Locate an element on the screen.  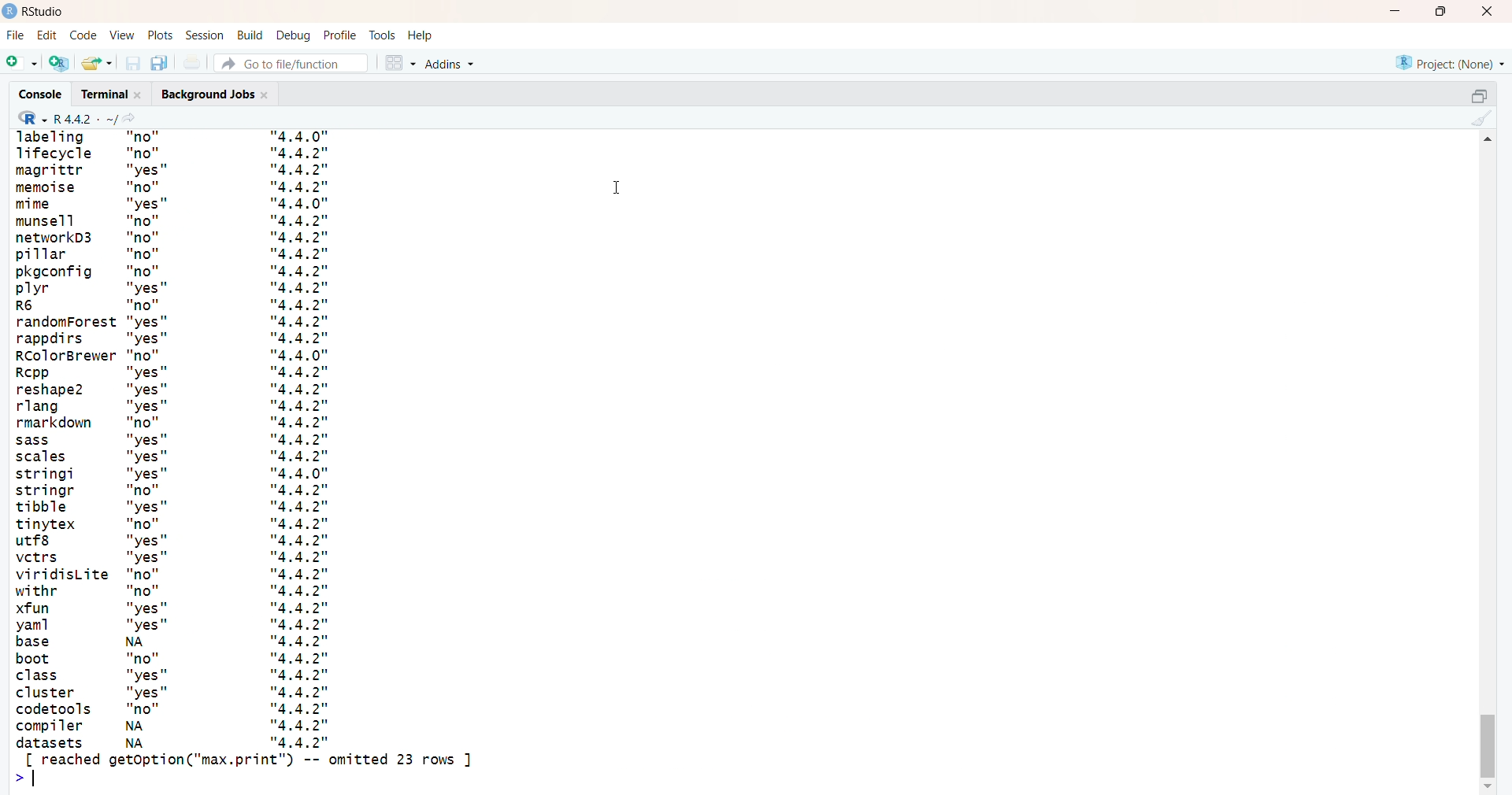
Go to file/function is located at coordinates (295, 63).